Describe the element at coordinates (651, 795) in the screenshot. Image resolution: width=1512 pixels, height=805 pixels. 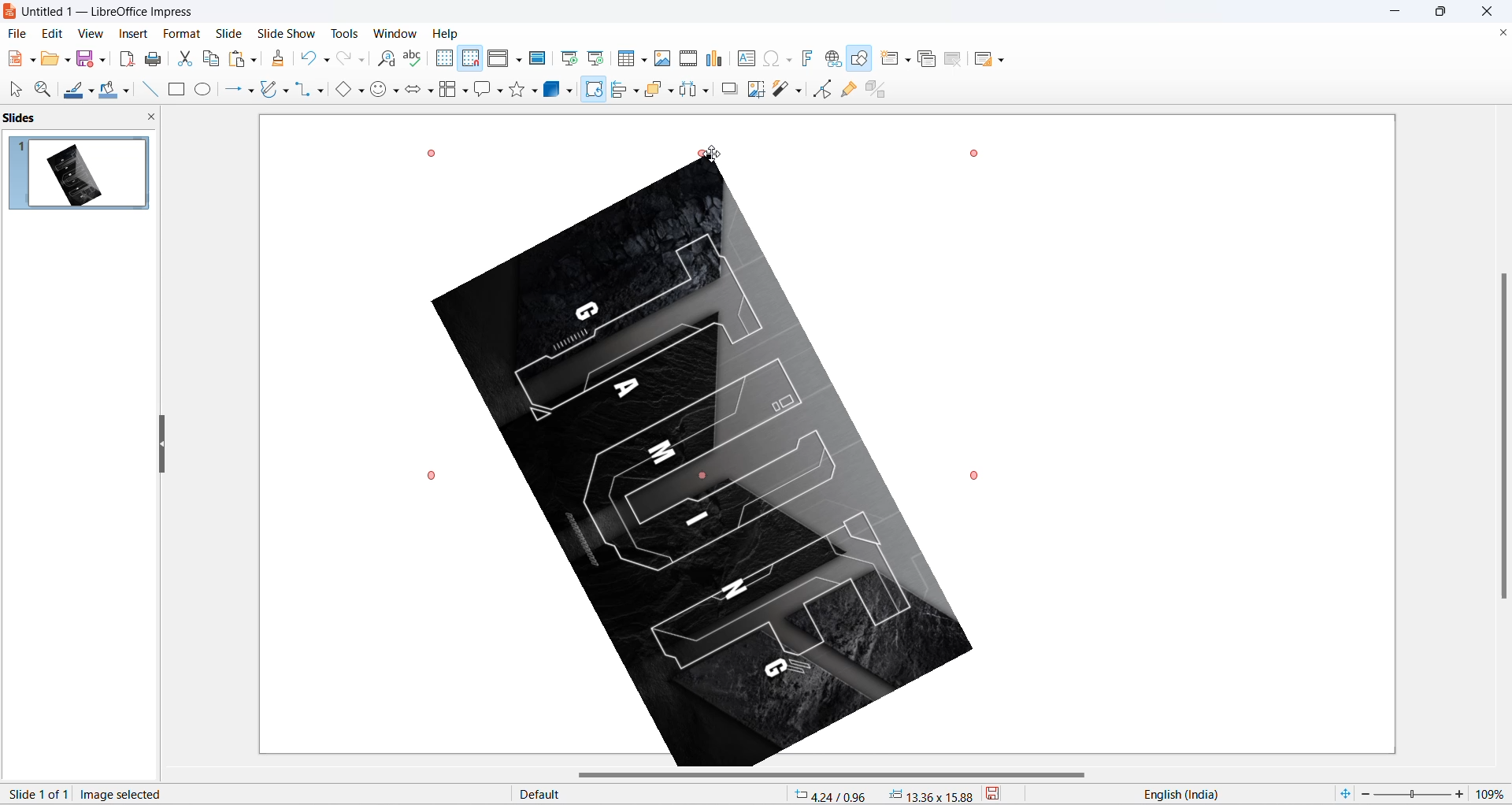
I see `slide master type` at that location.